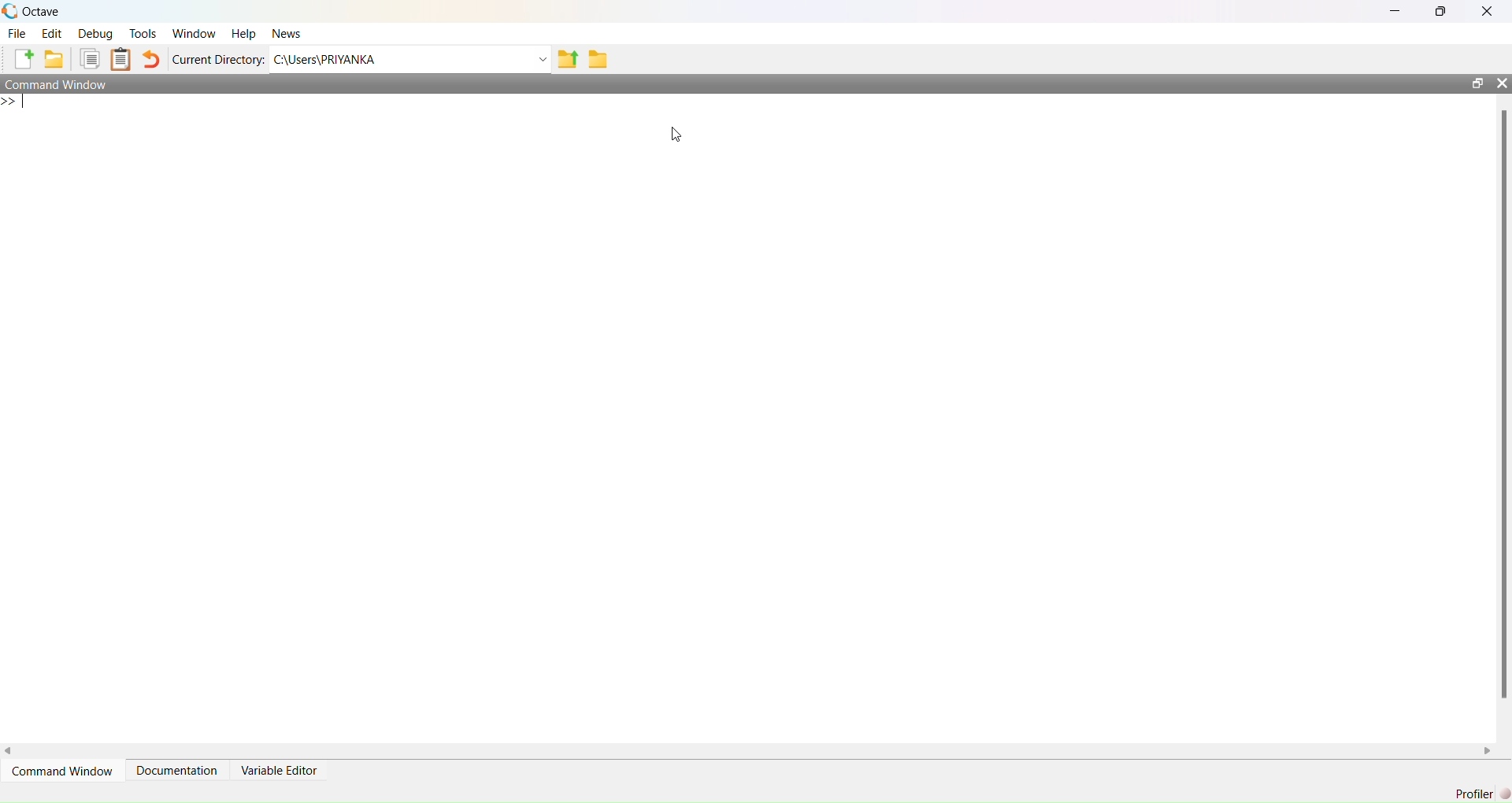 This screenshot has width=1512, height=803. Describe the element at coordinates (194, 33) in the screenshot. I see `Window` at that location.